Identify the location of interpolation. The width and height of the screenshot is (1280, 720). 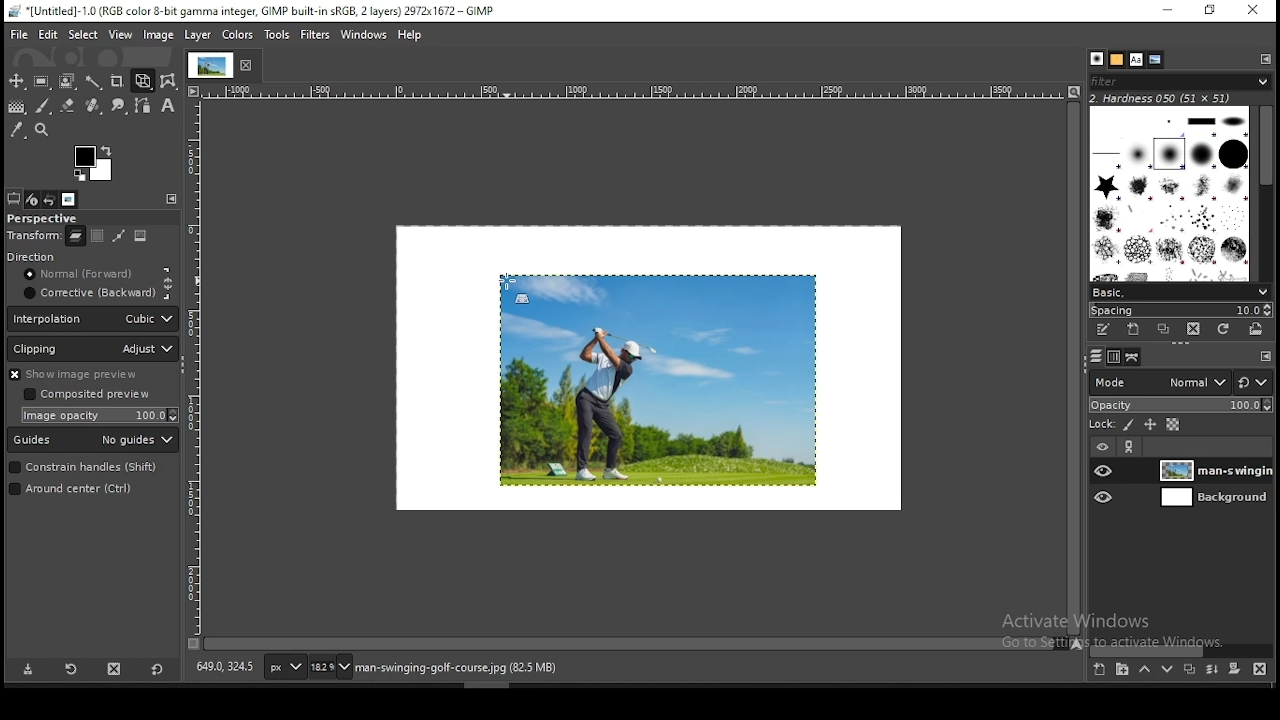
(93, 319).